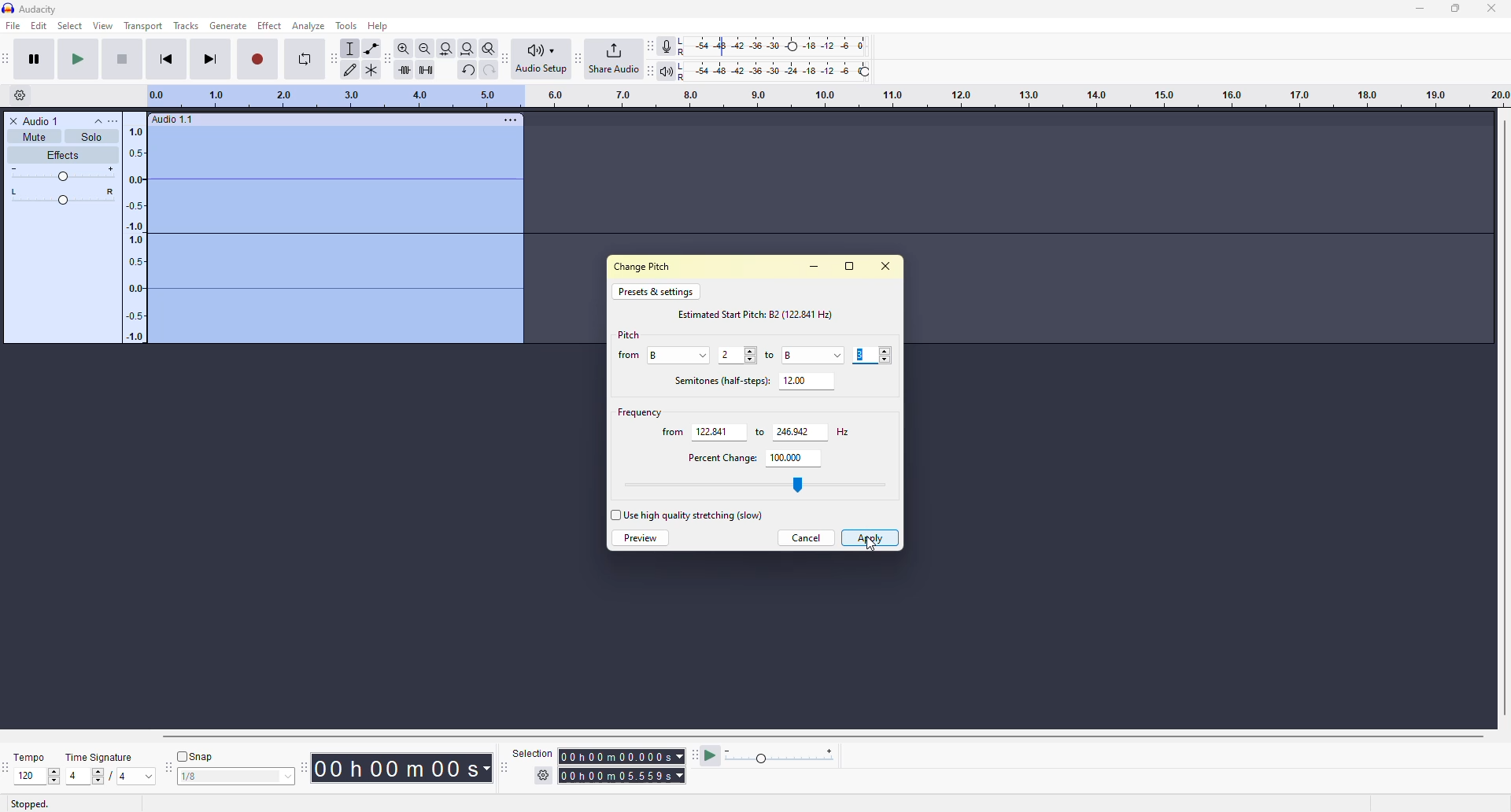  I want to click on stop, so click(120, 59).